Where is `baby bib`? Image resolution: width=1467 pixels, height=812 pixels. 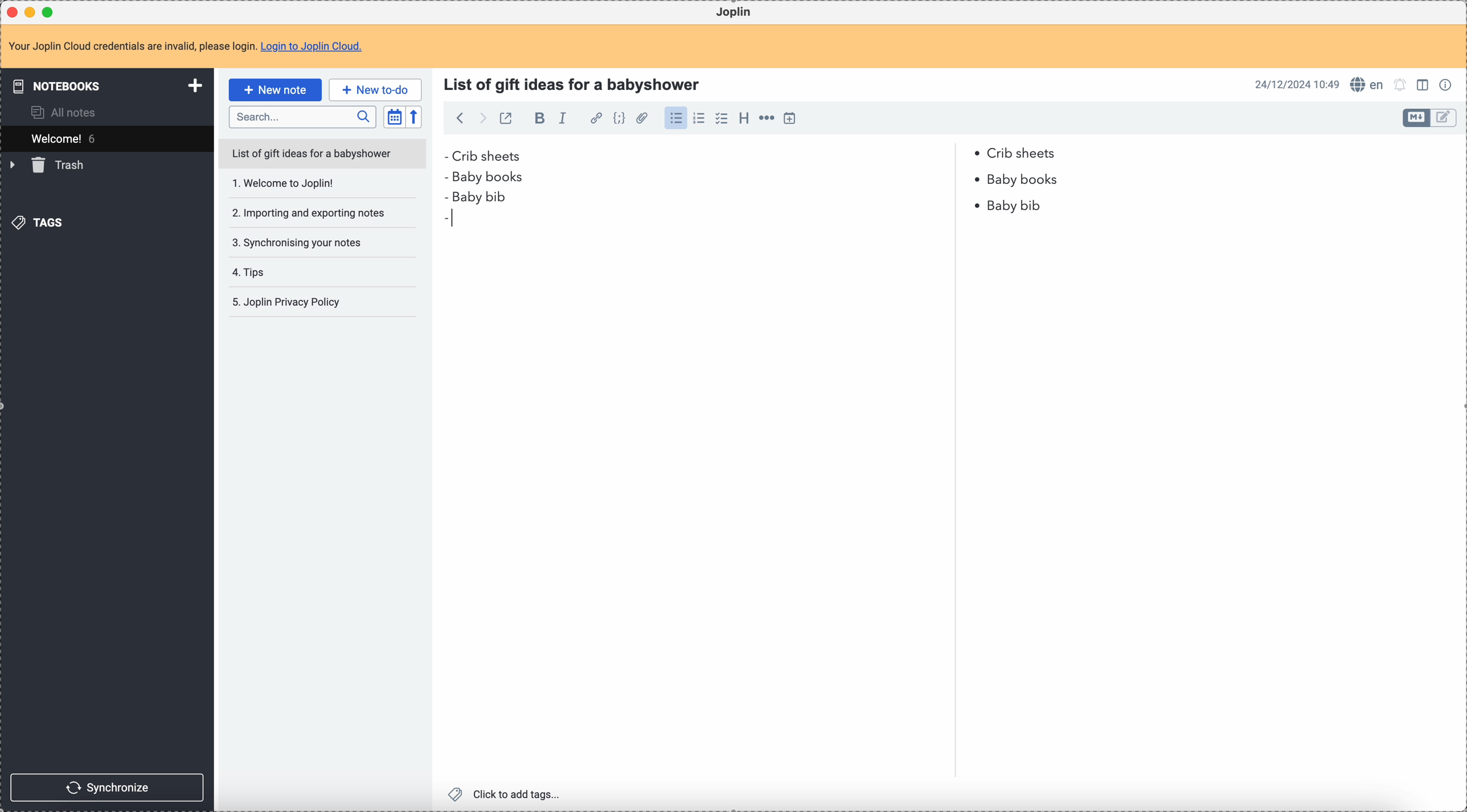
baby bib is located at coordinates (744, 203).